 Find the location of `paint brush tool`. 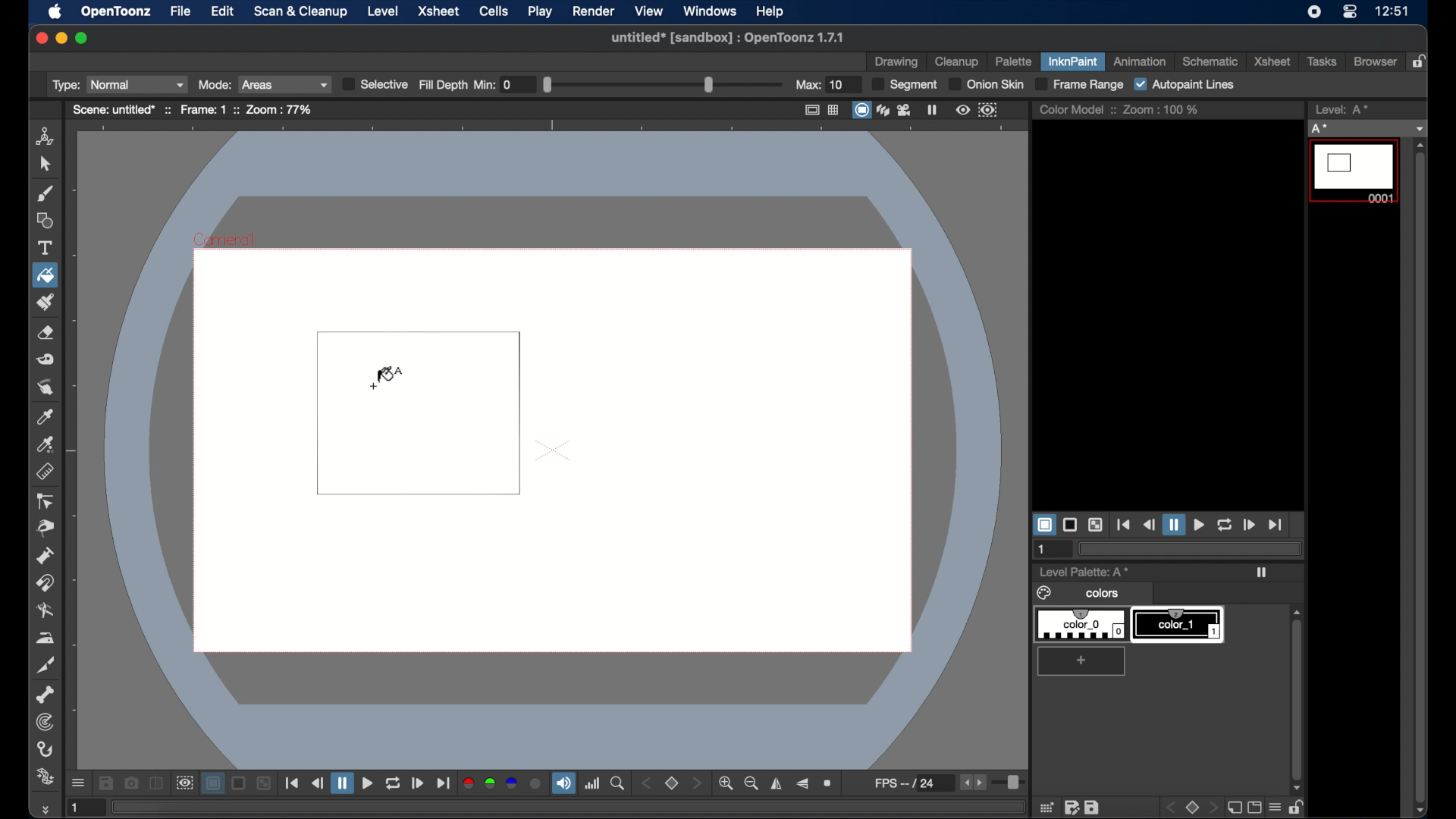

paint brush tool is located at coordinates (46, 302).